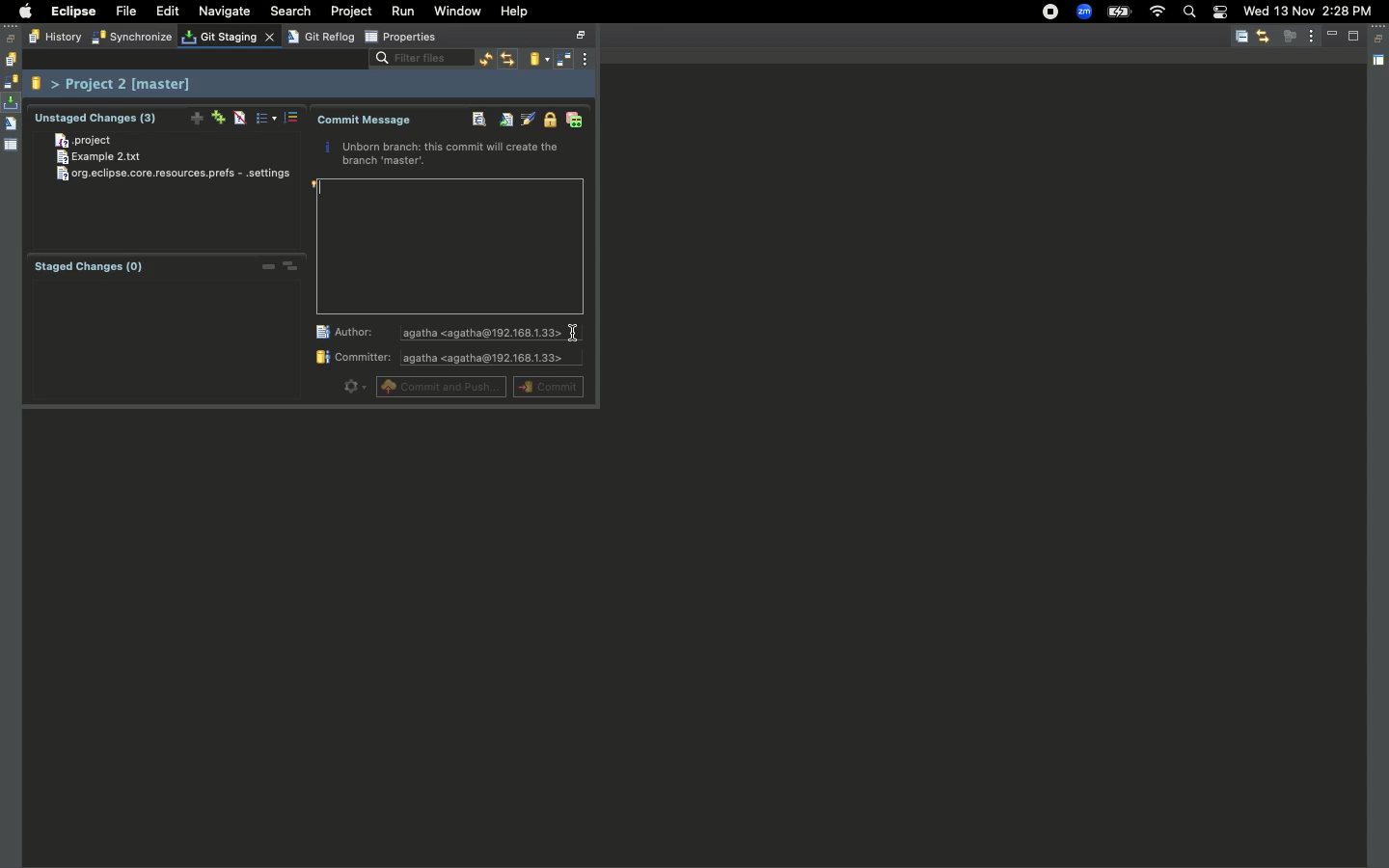 This screenshot has width=1389, height=868. I want to click on Properties , so click(401, 38).